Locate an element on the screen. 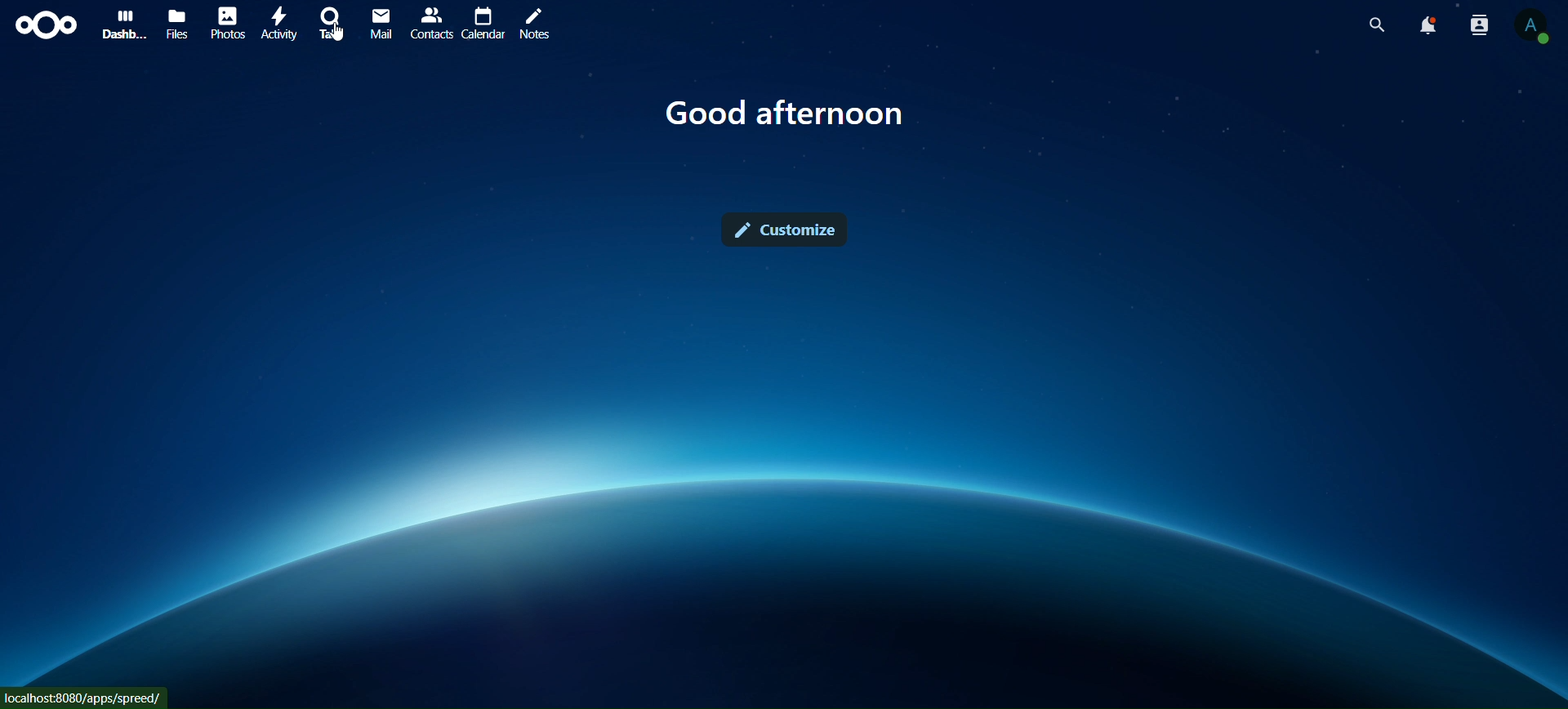 Image resolution: width=1568 pixels, height=709 pixels. mail is located at coordinates (381, 24).